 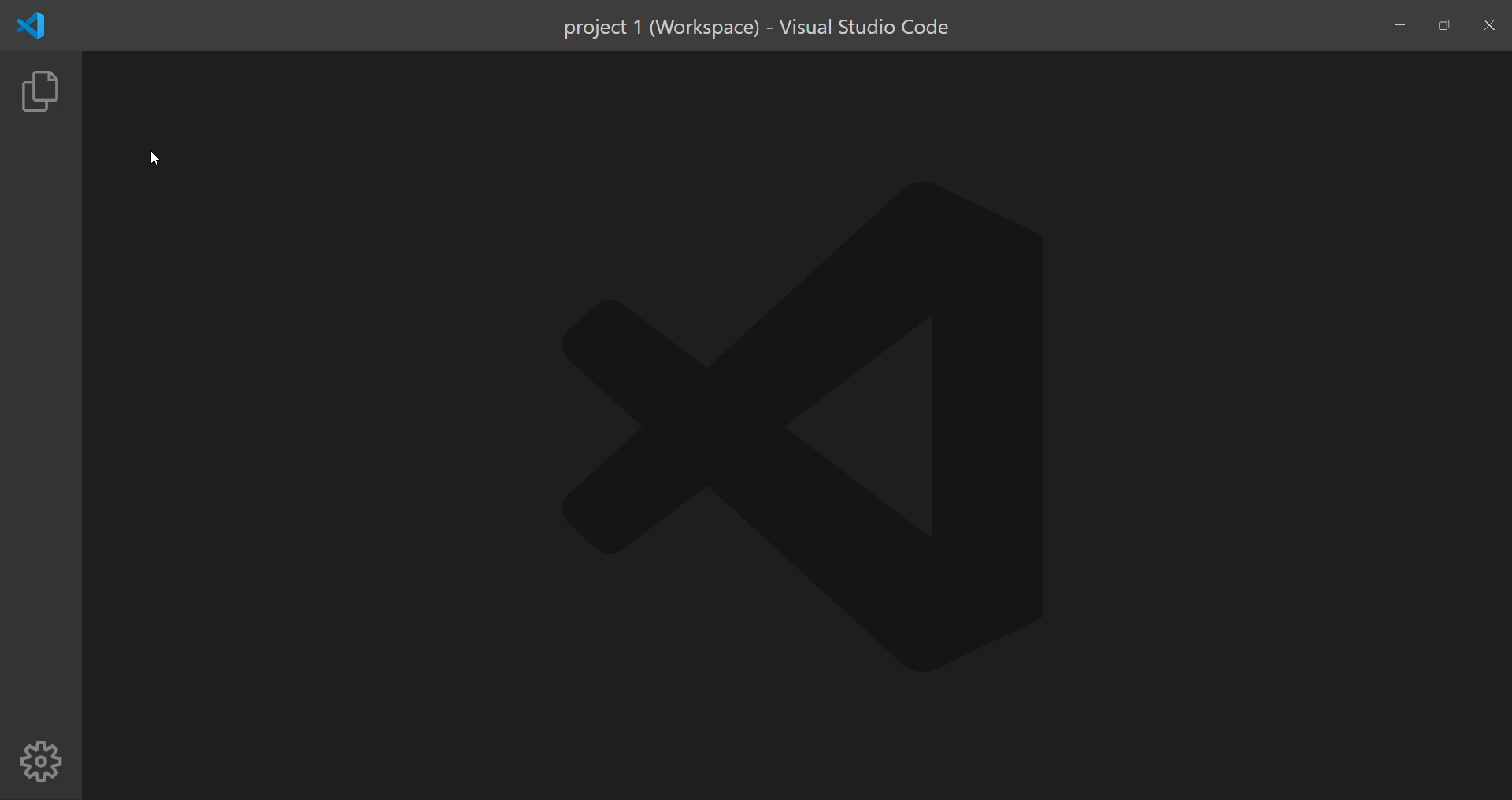 What do you see at coordinates (1401, 24) in the screenshot?
I see `minimize` at bounding box center [1401, 24].